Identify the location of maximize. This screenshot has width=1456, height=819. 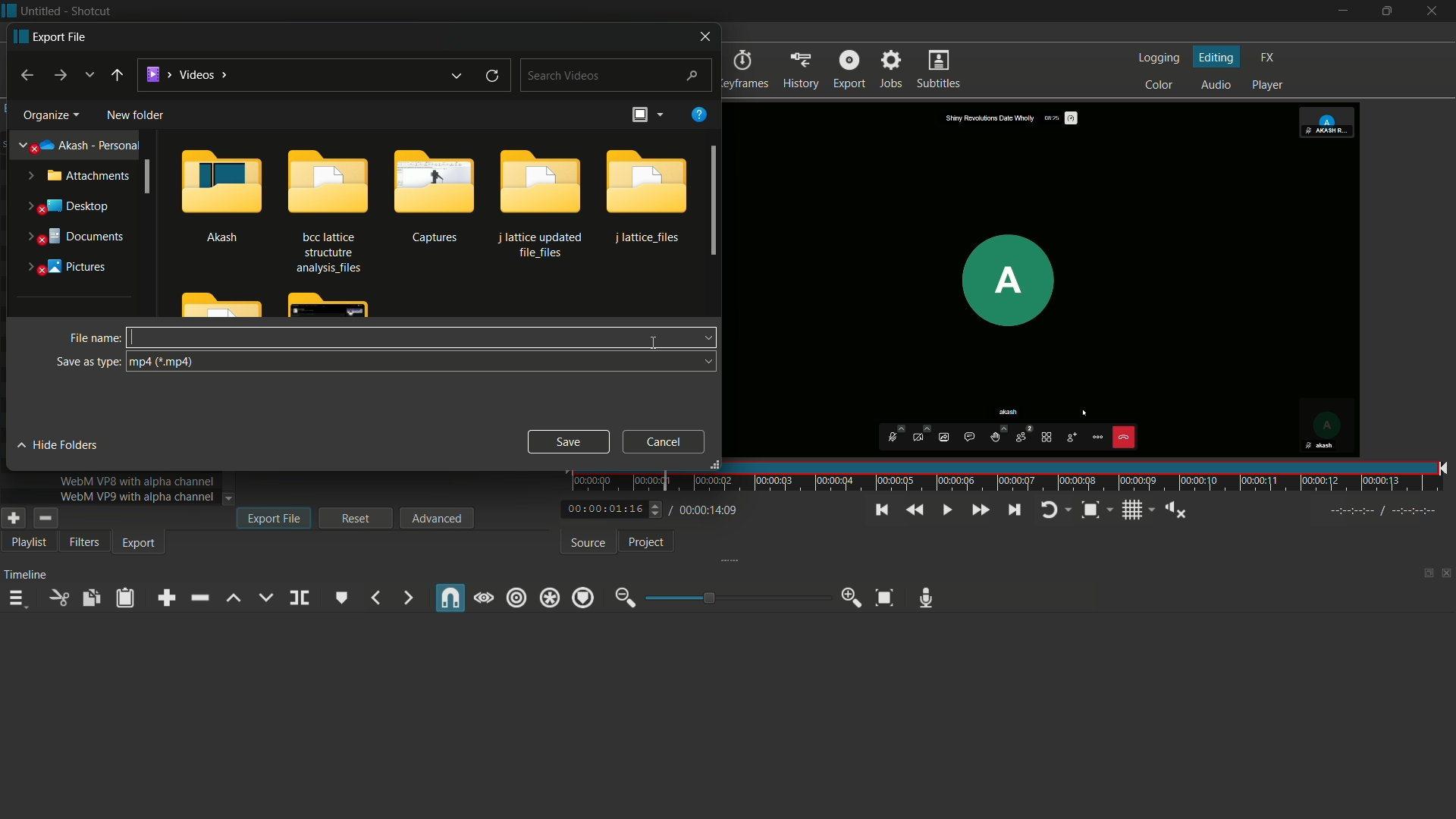
(1385, 11).